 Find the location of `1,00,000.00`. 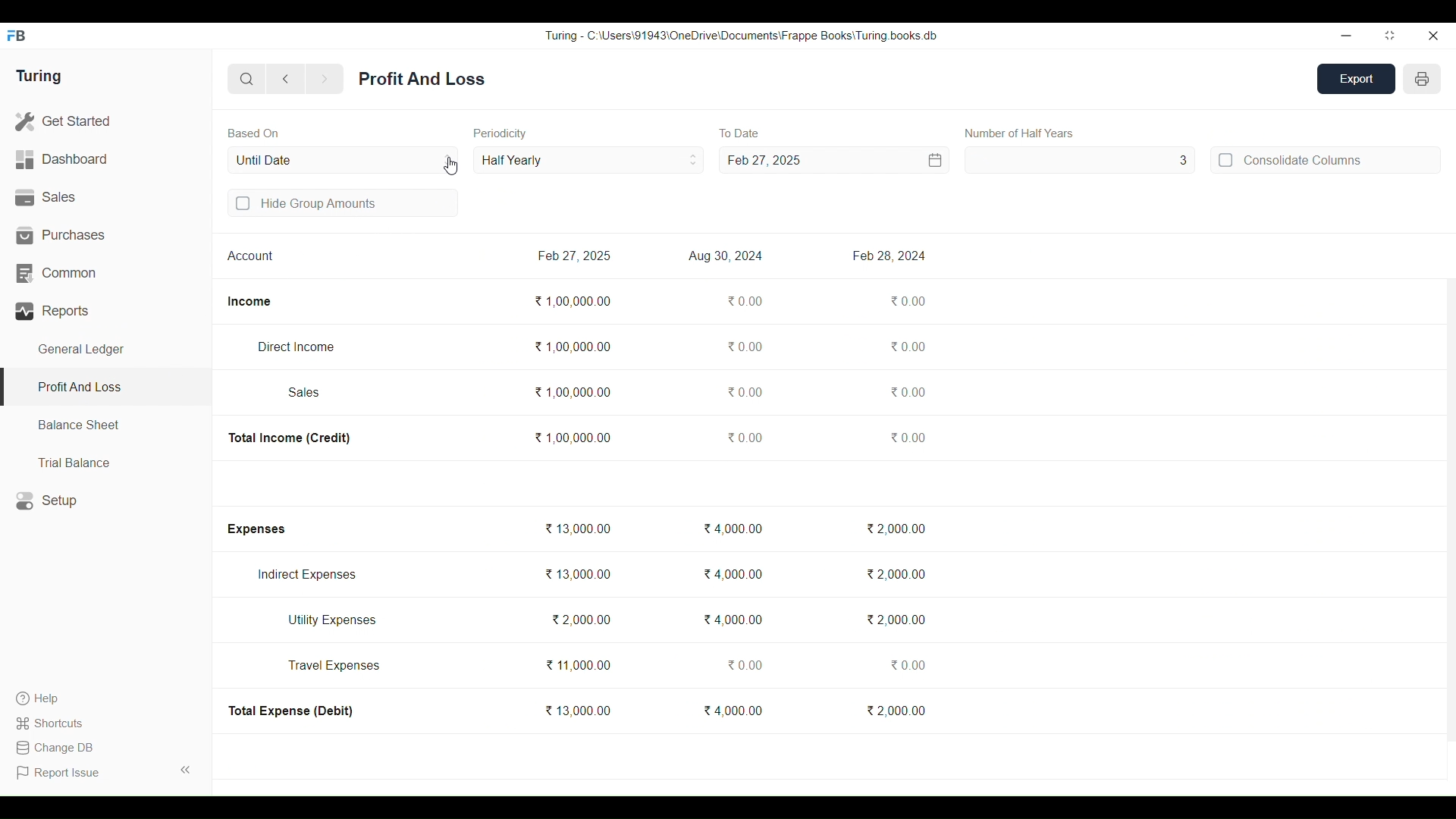

1,00,000.00 is located at coordinates (572, 347).